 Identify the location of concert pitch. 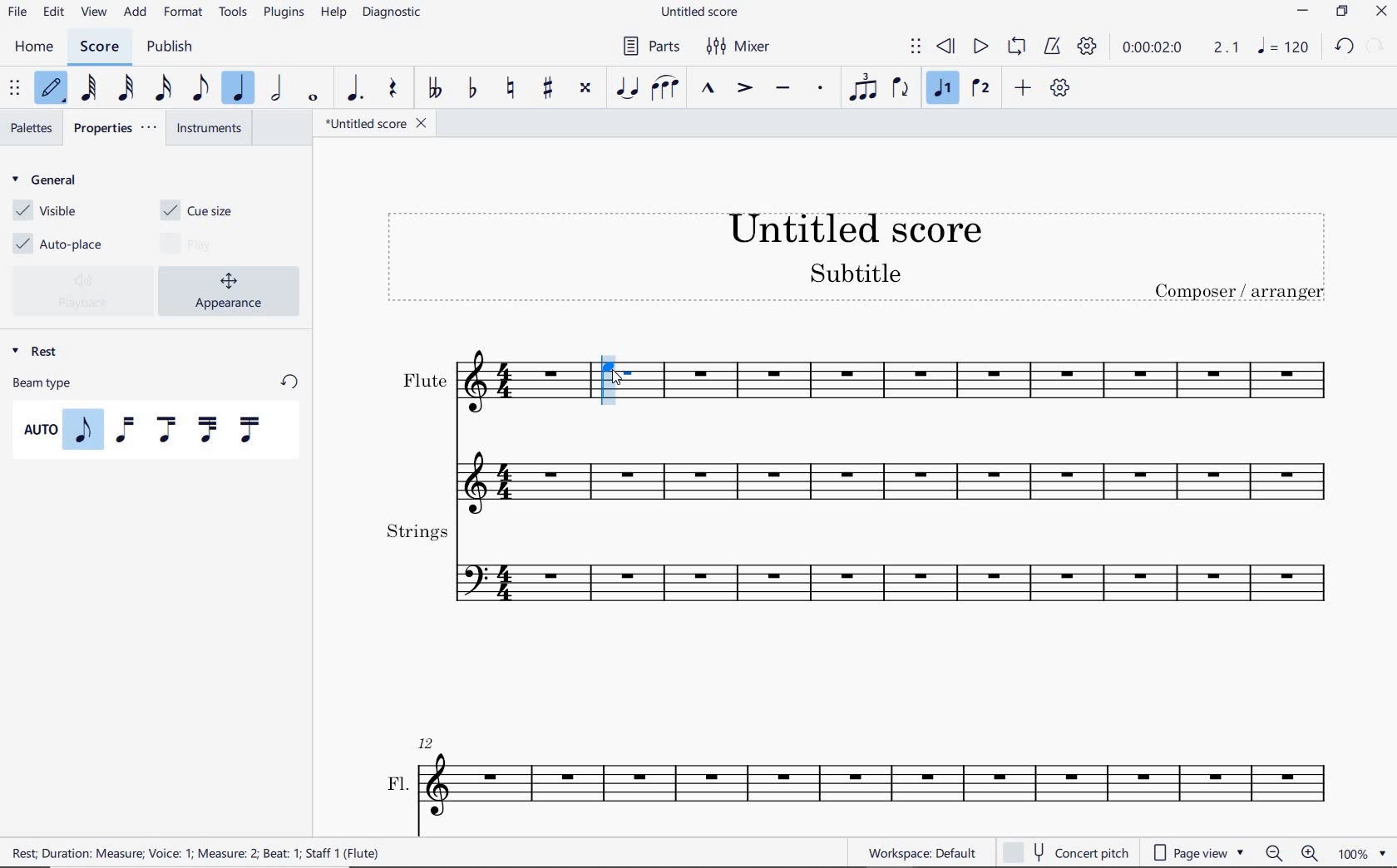
(1065, 850).